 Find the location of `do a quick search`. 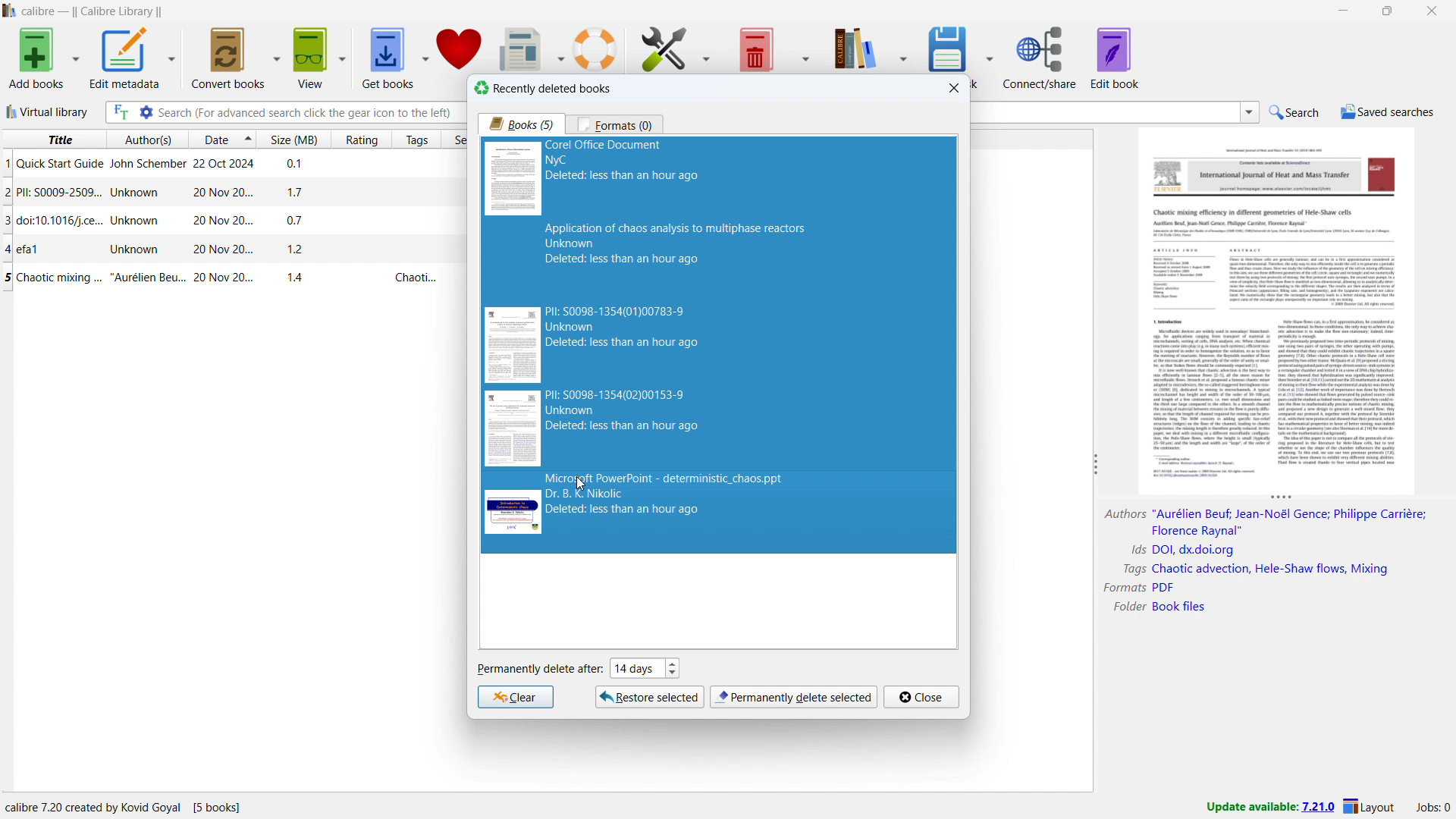

do a quick search is located at coordinates (1295, 113).